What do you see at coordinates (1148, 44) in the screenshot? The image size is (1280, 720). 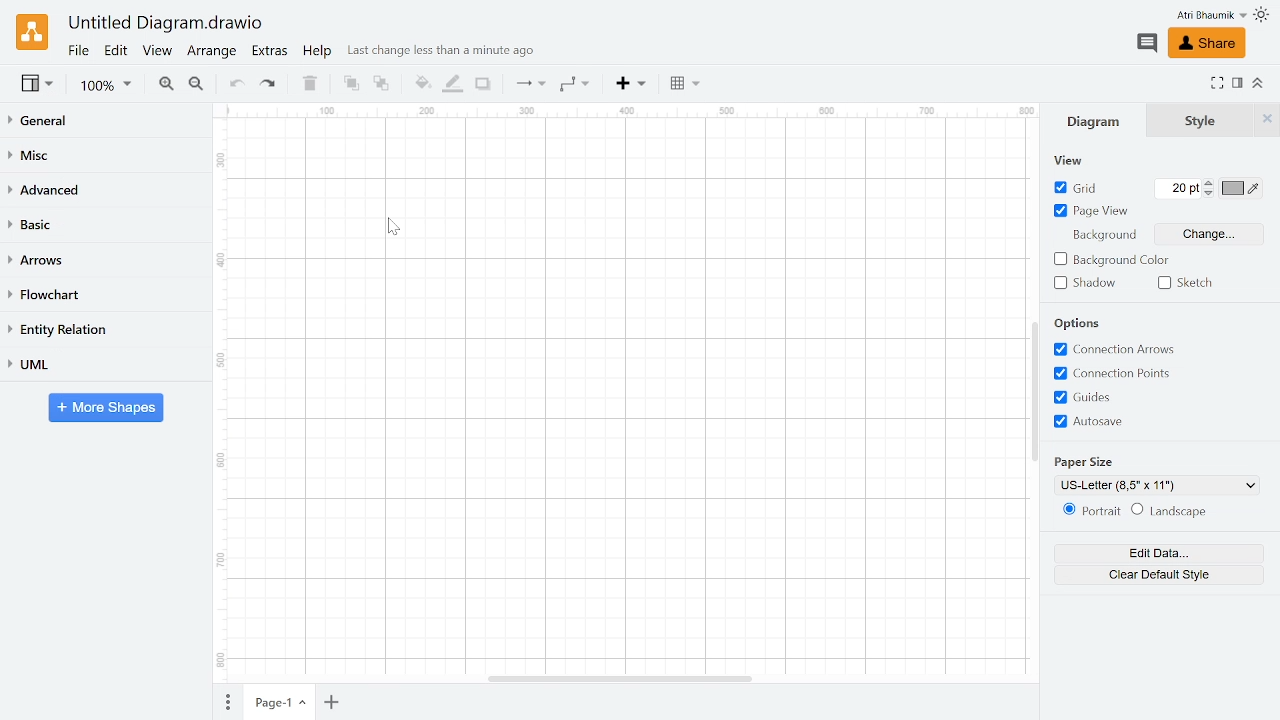 I see `Comment` at bounding box center [1148, 44].